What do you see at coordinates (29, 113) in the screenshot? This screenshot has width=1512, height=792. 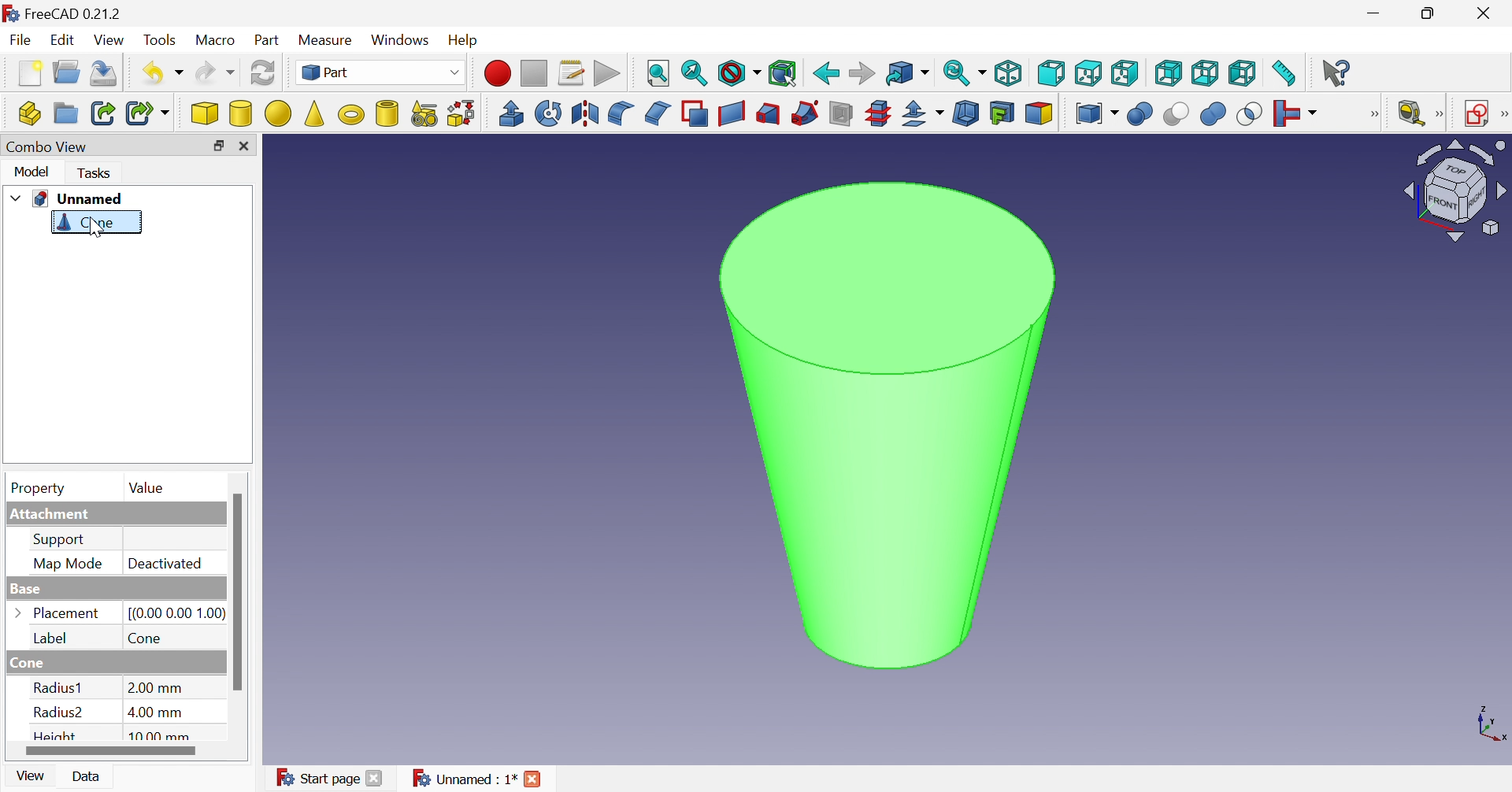 I see `Create part` at bounding box center [29, 113].